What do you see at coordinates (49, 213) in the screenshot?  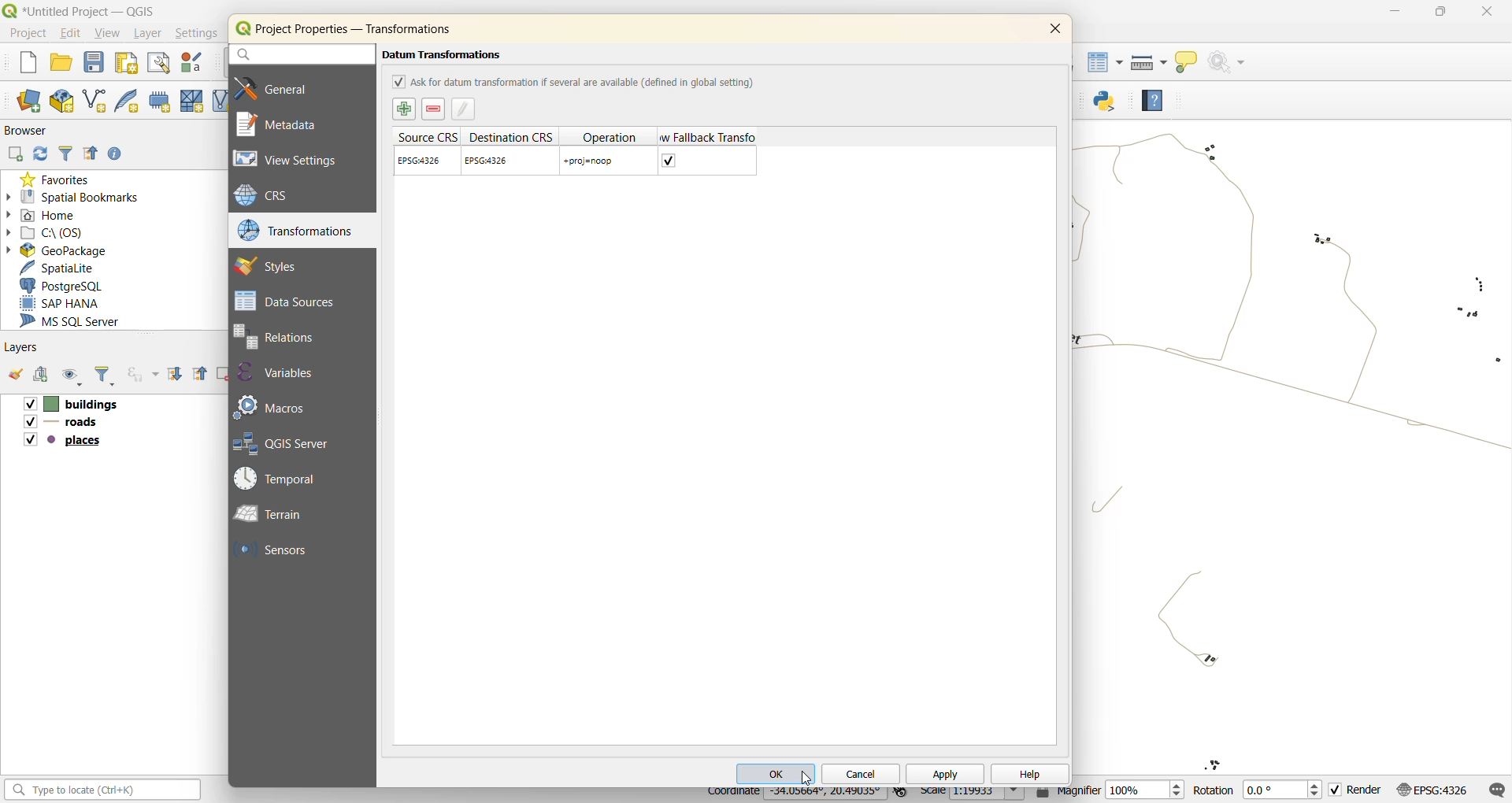 I see `home` at bounding box center [49, 213].